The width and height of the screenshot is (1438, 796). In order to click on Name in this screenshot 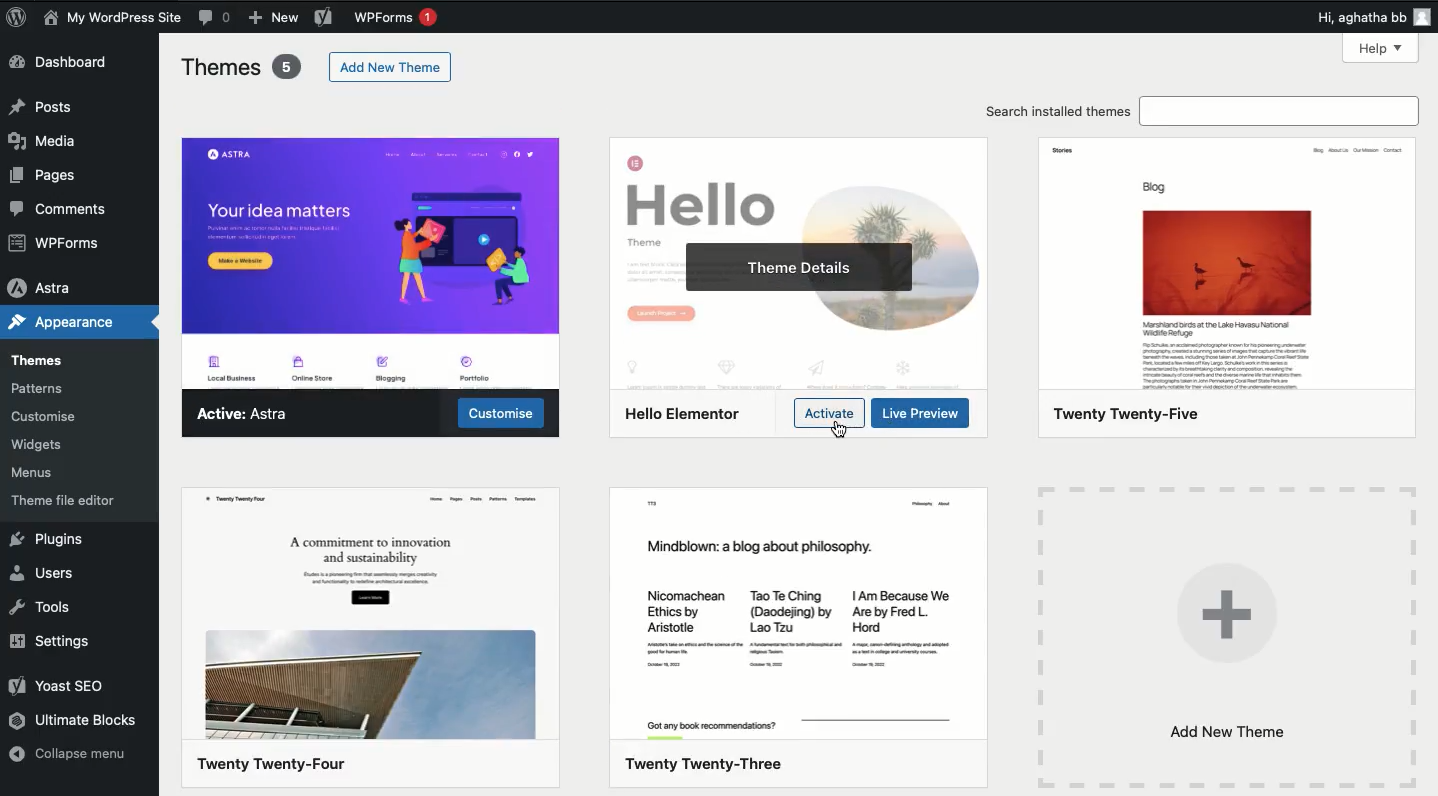, I will do `click(111, 18)`.